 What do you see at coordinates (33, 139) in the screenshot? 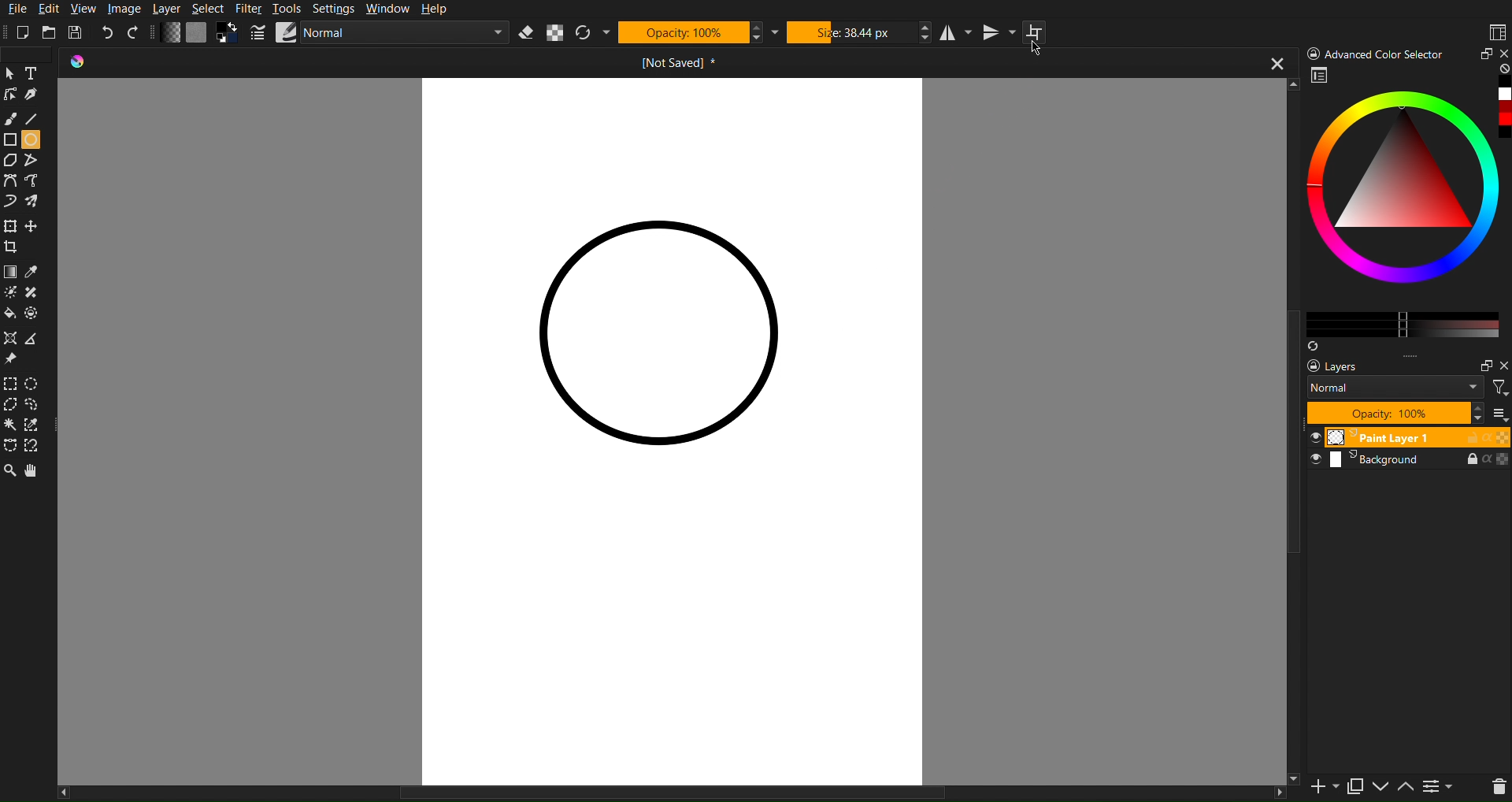
I see `Circle` at bounding box center [33, 139].